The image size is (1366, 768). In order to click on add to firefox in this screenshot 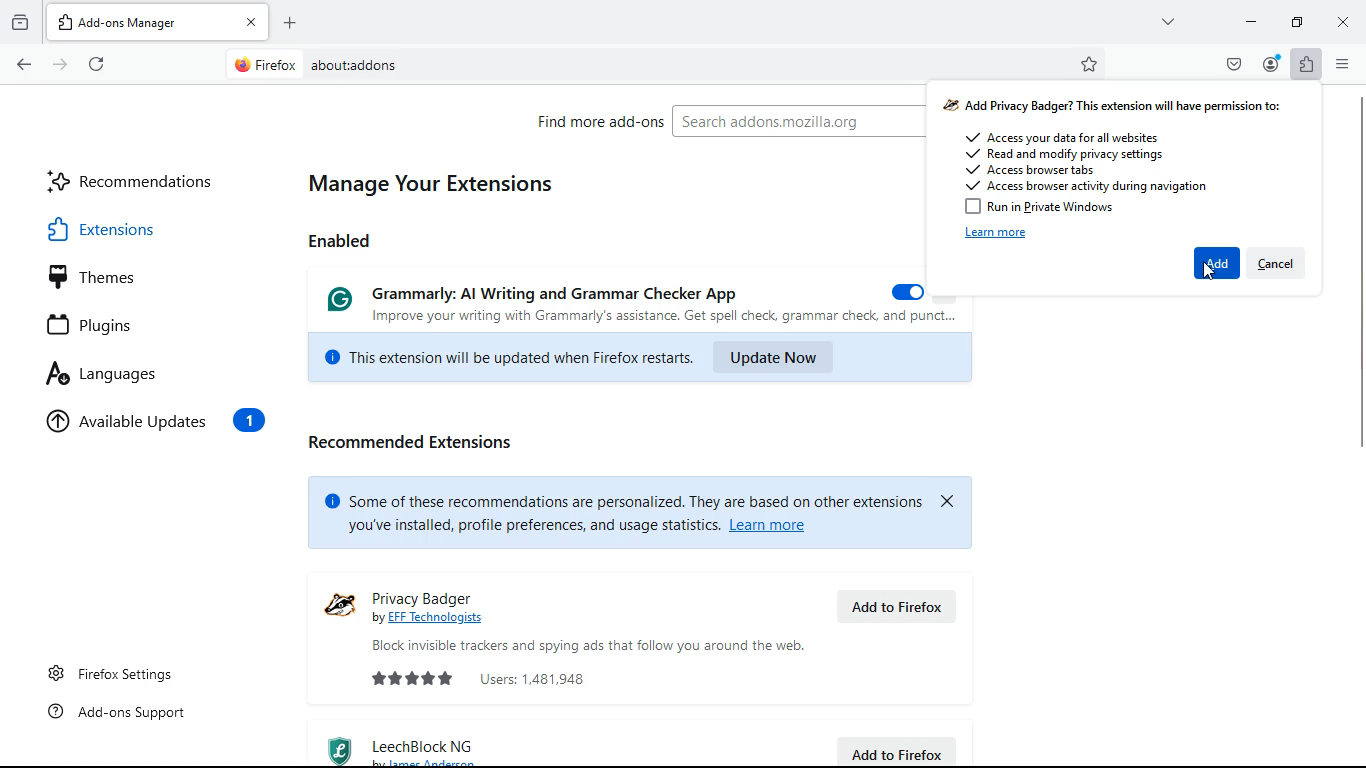, I will do `click(901, 750)`.